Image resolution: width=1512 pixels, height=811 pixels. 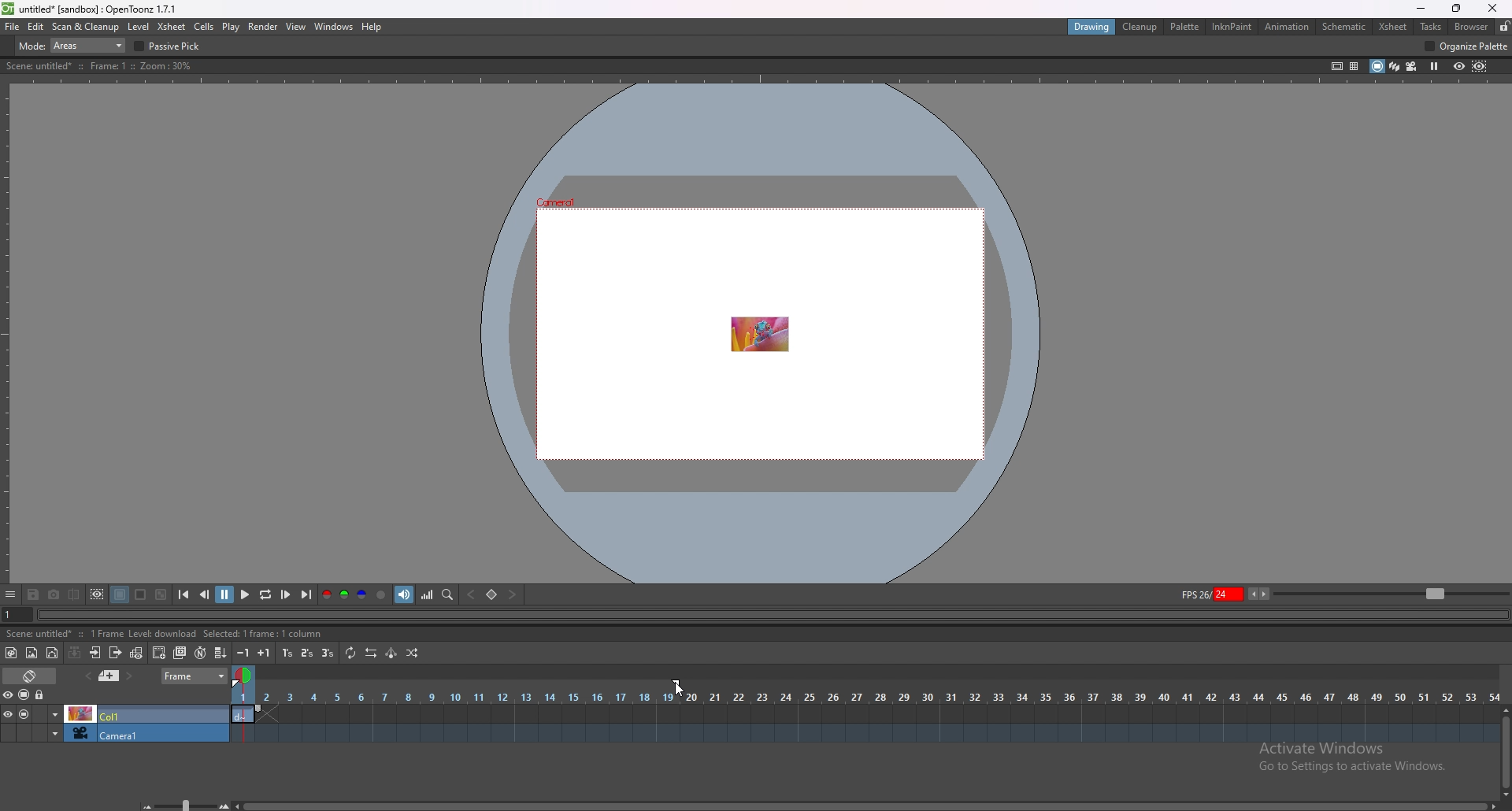 I want to click on next memo, so click(x=129, y=676).